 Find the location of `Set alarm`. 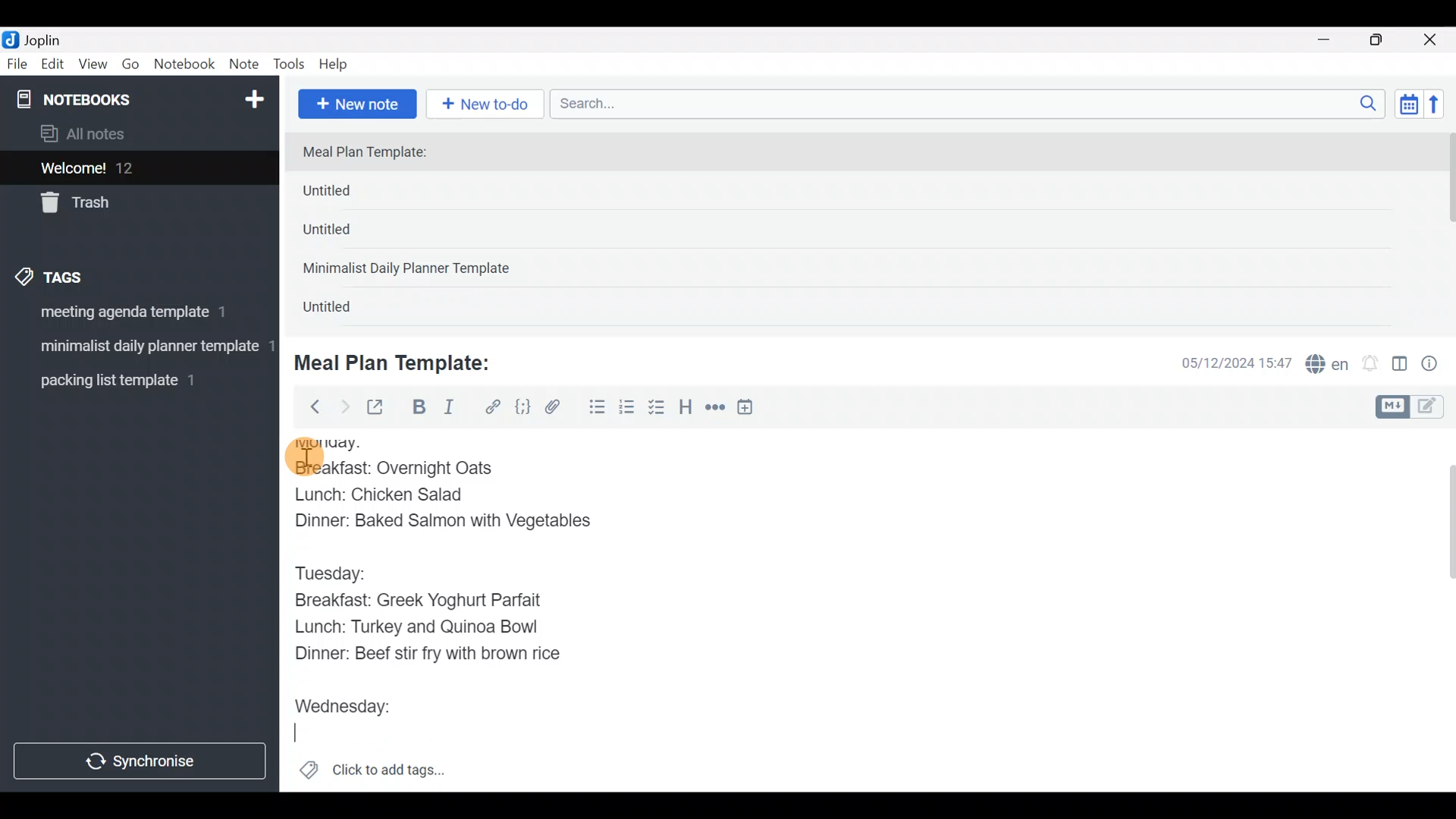

Set alarm is located at coordinates (1371, 365).